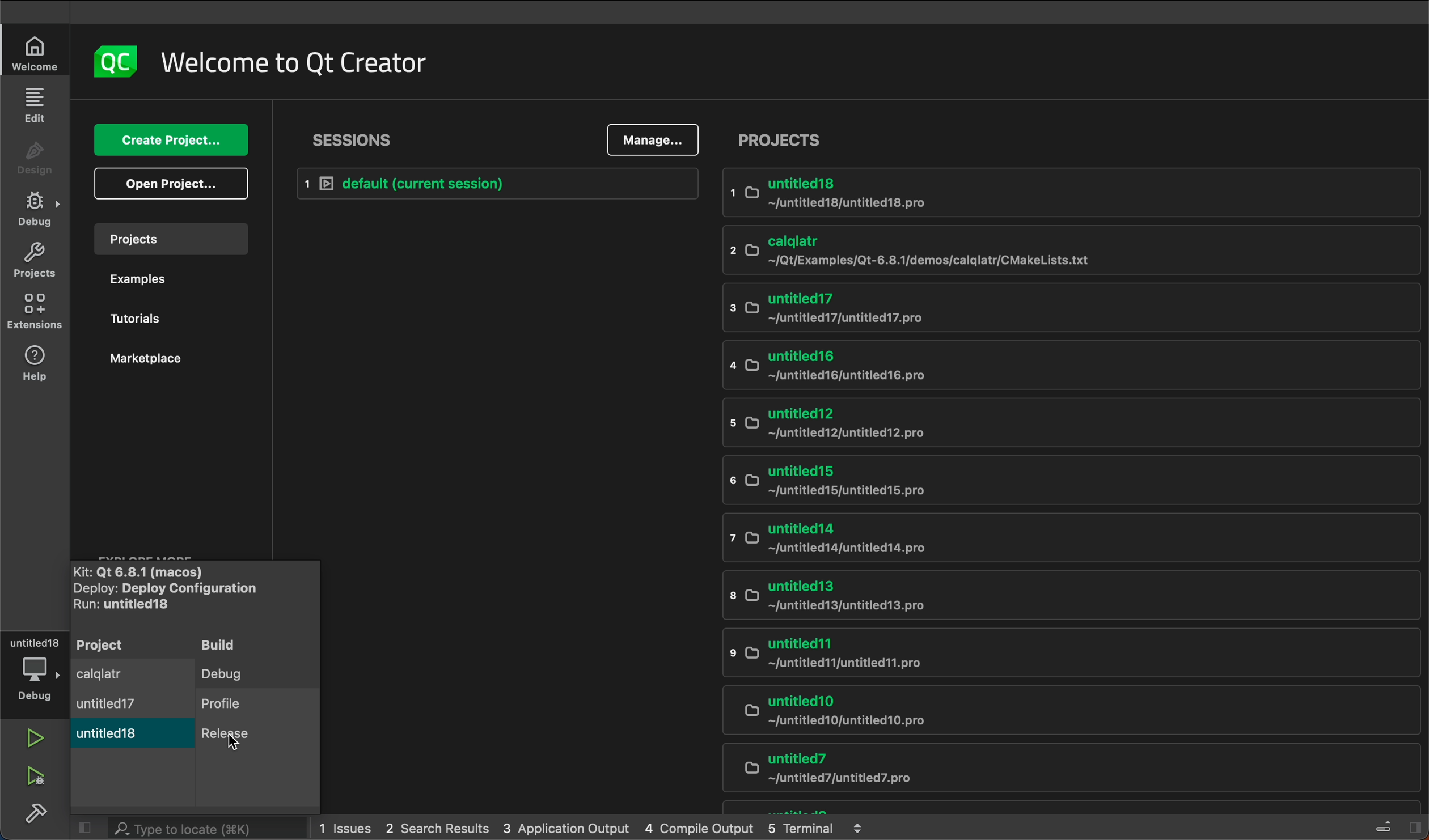 The height and width of the screenshot is (840, 1429). Describe the element at coordinates (108, 705) in the screenshot. I see `untitled17` at that location.